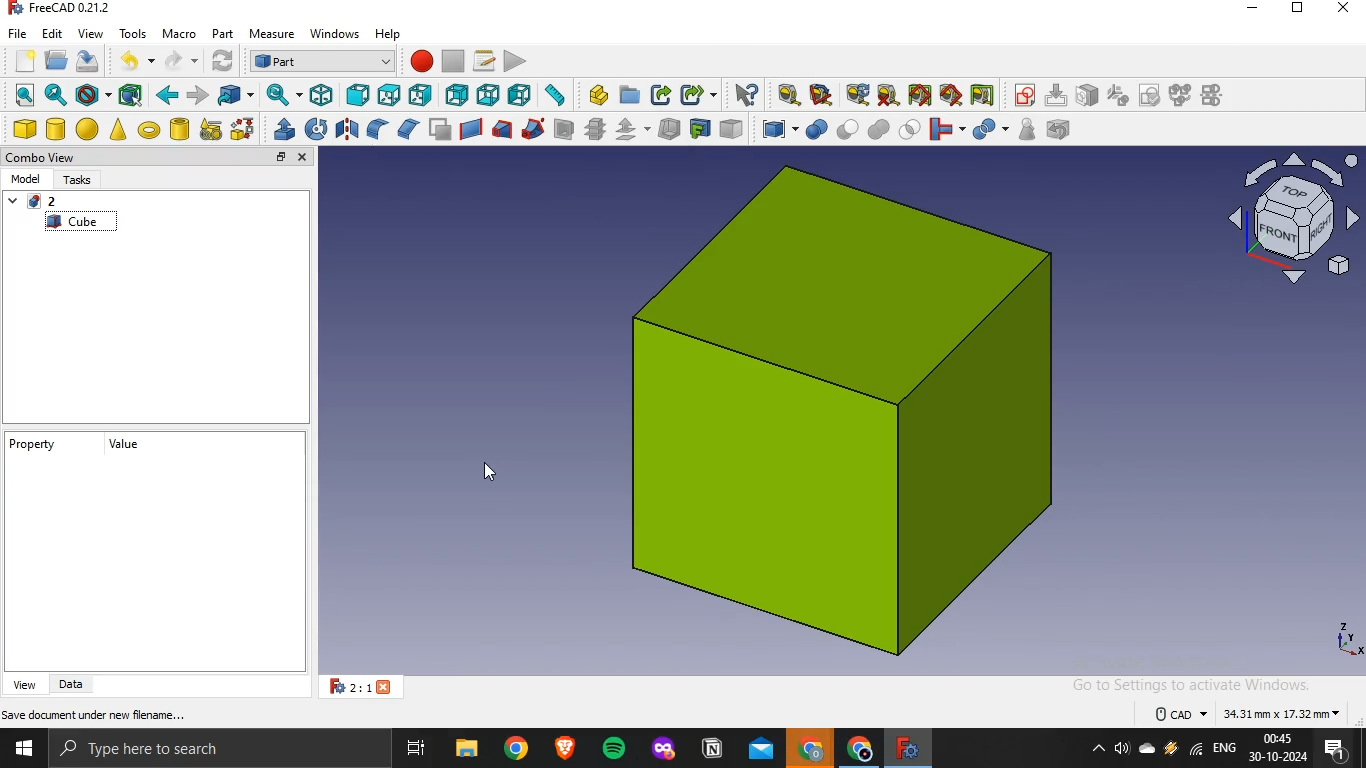 The width and height of the screenshot is (1366, 768). Describe the element at coordinates (201, 749) in the screenshot. I see `type here to search` at that location.